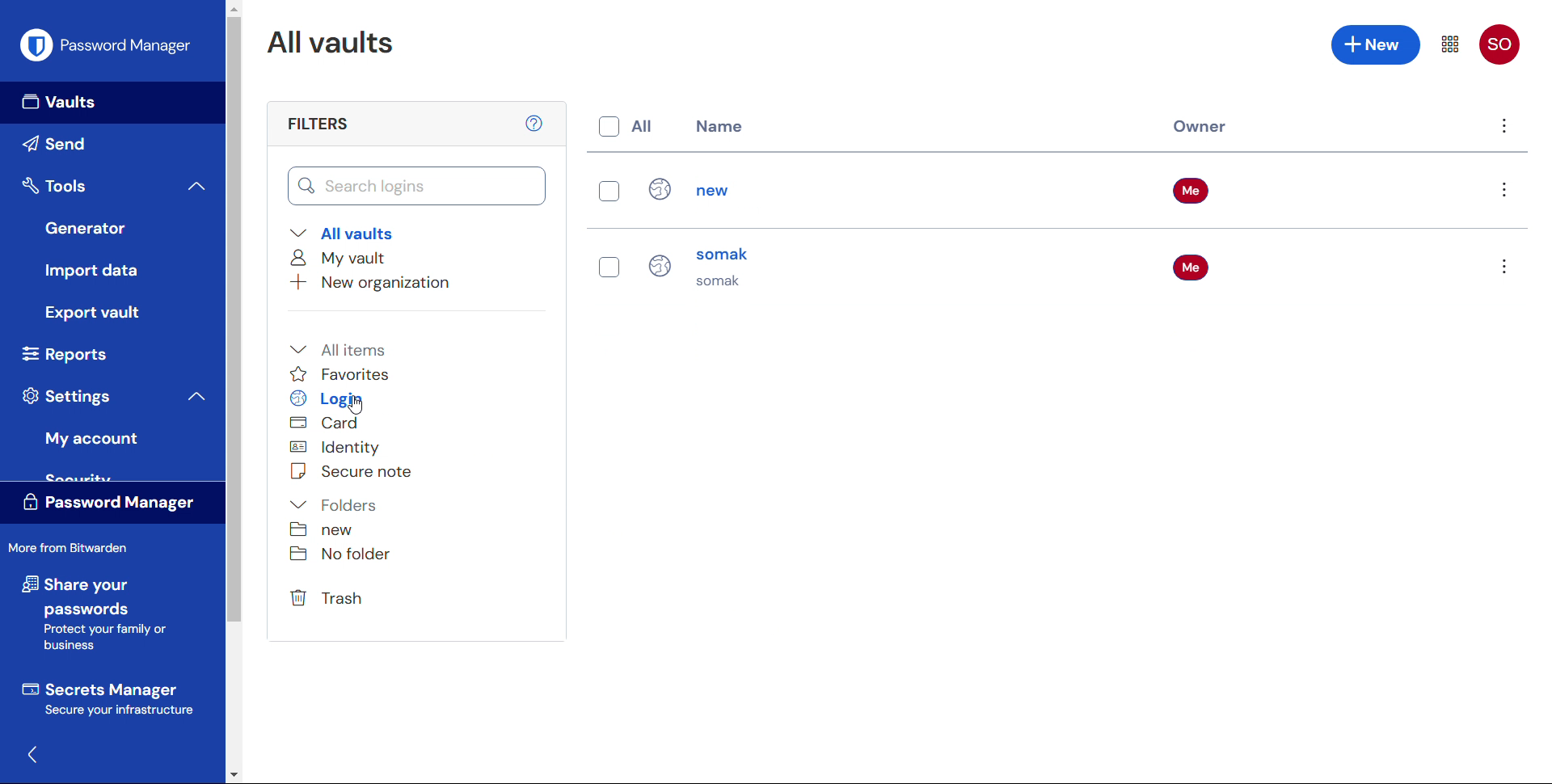  I want to click on Share your passwords   protect your family or business., so click(91, 614).